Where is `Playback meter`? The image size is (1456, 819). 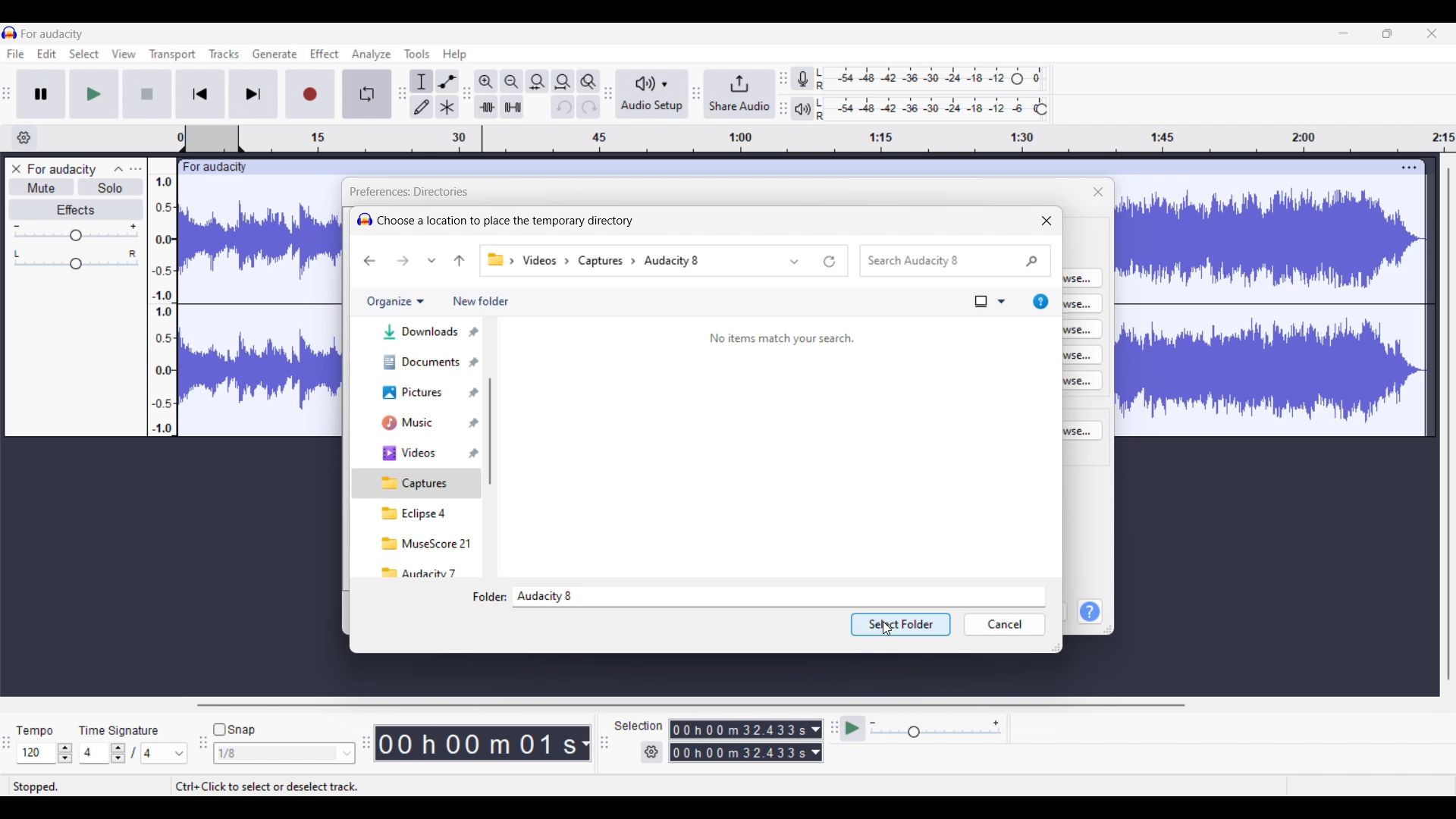
Playback meter is located at coordinates (801, 109).